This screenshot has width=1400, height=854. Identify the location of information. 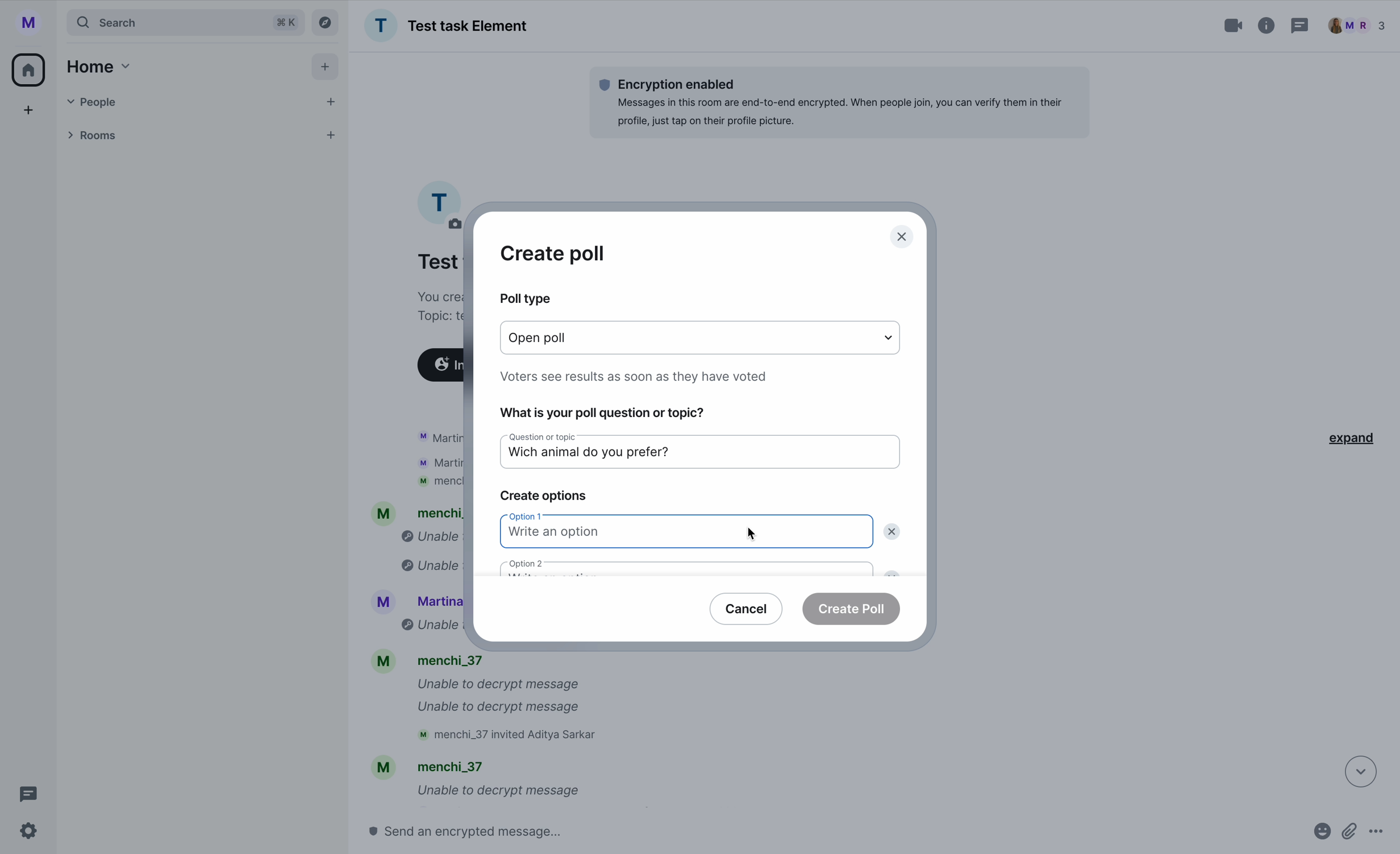
(1267, 23).